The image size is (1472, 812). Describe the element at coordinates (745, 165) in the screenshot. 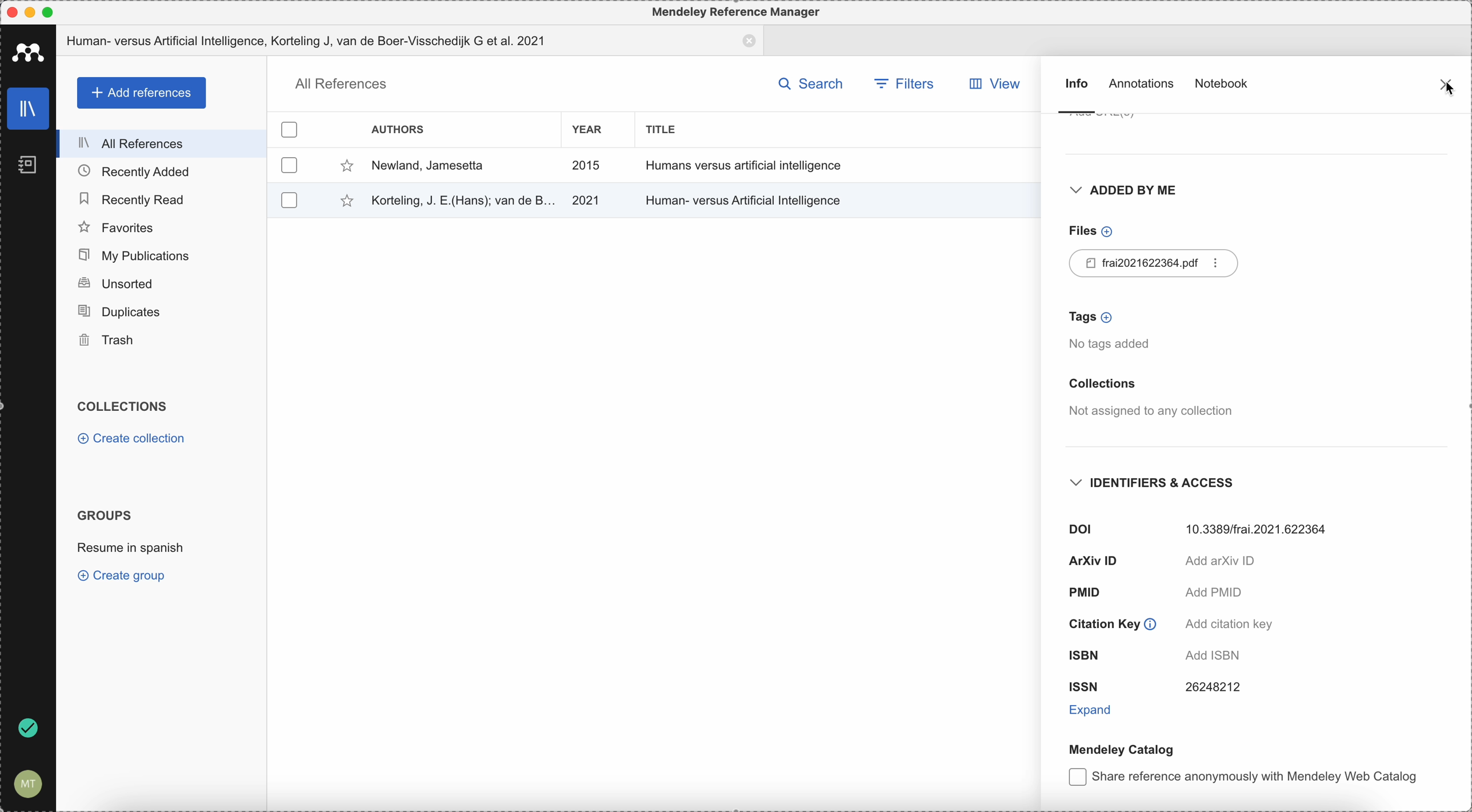

I see `Humans versus artificial intelligence` at that location.